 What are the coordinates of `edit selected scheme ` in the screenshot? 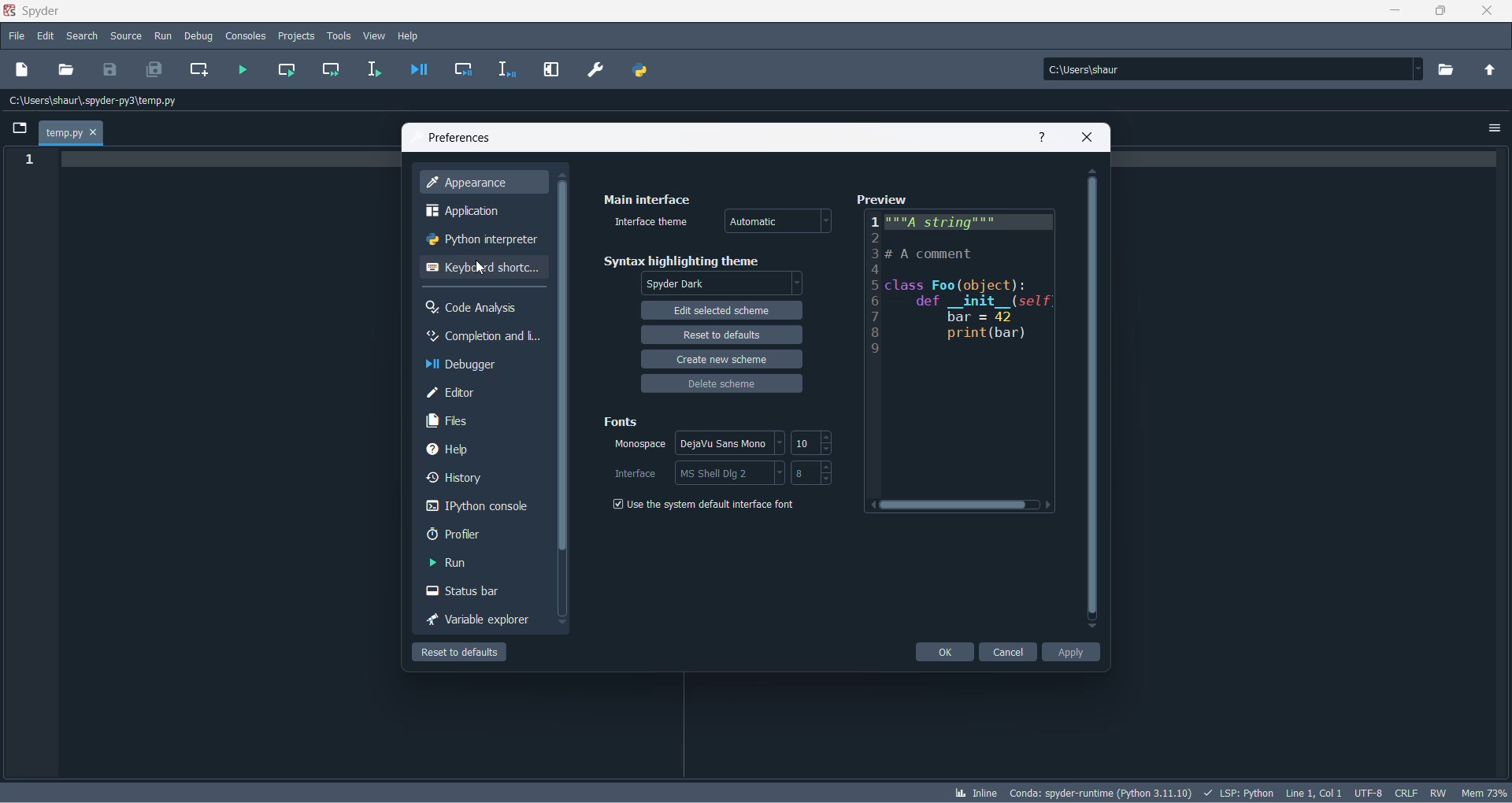 It's located at (722, 312).